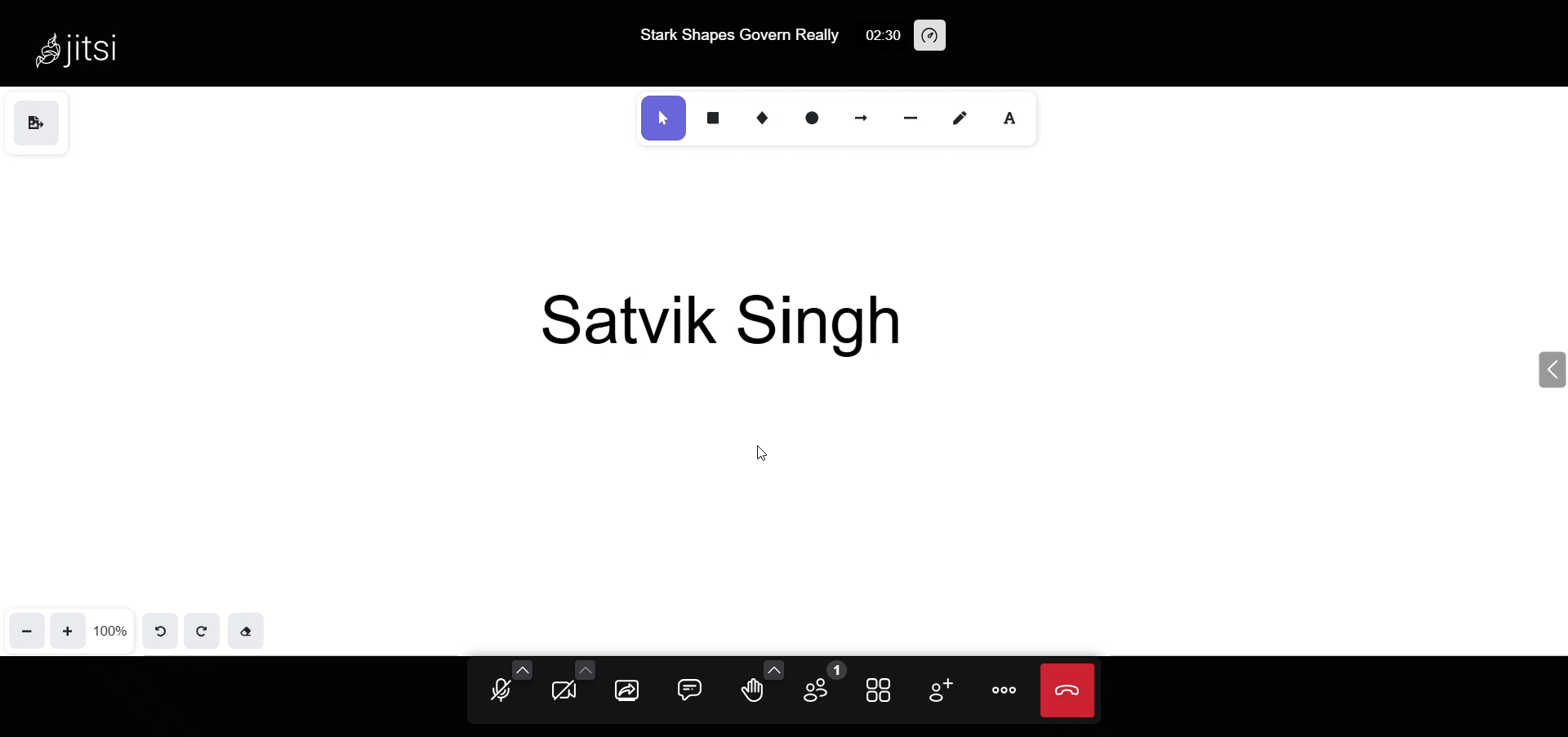 The image size is (1568, 737). I want to click on line, so click(913, 118).